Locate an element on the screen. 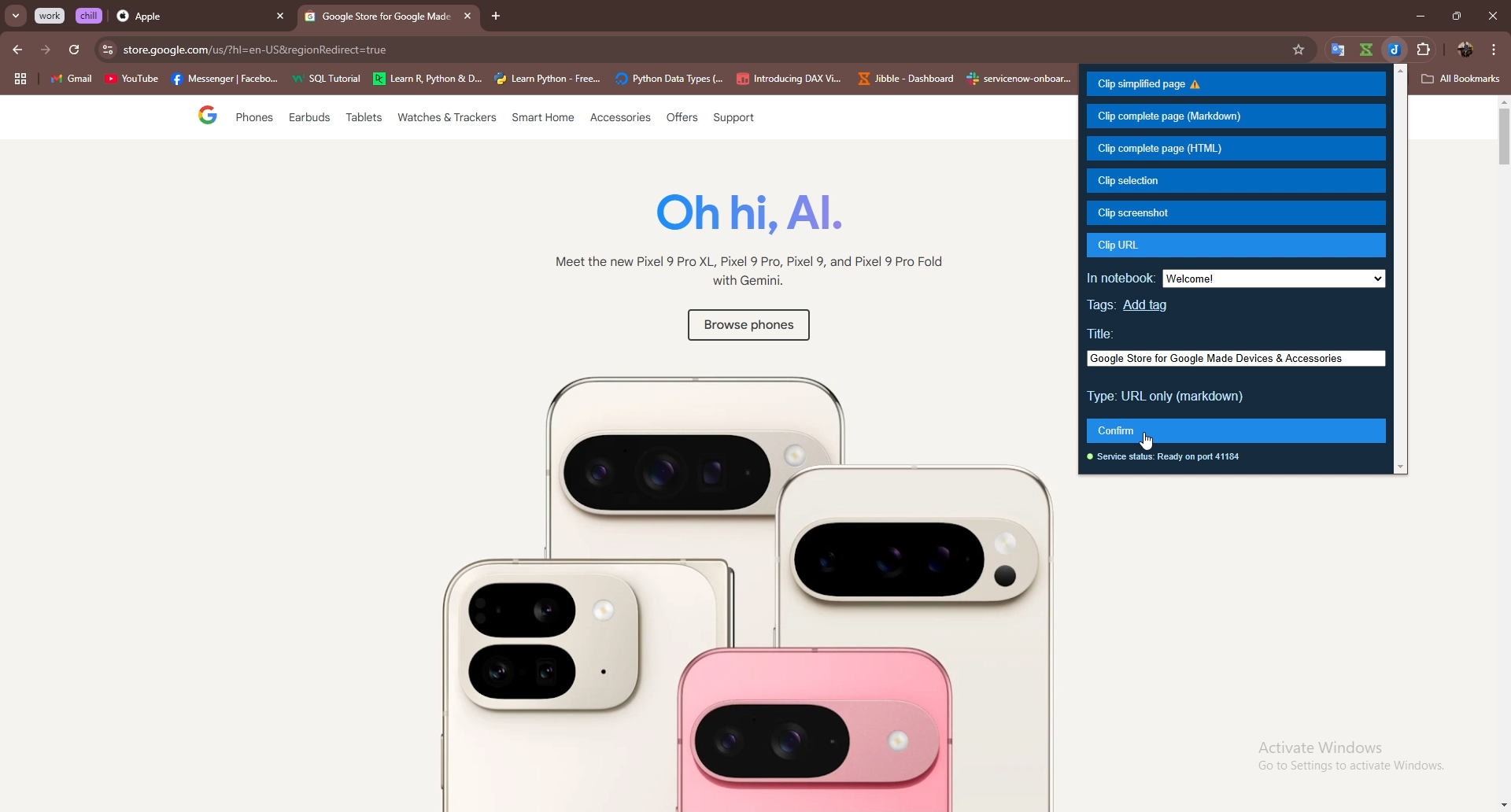  search tabs is located at coordinates (17, 17).